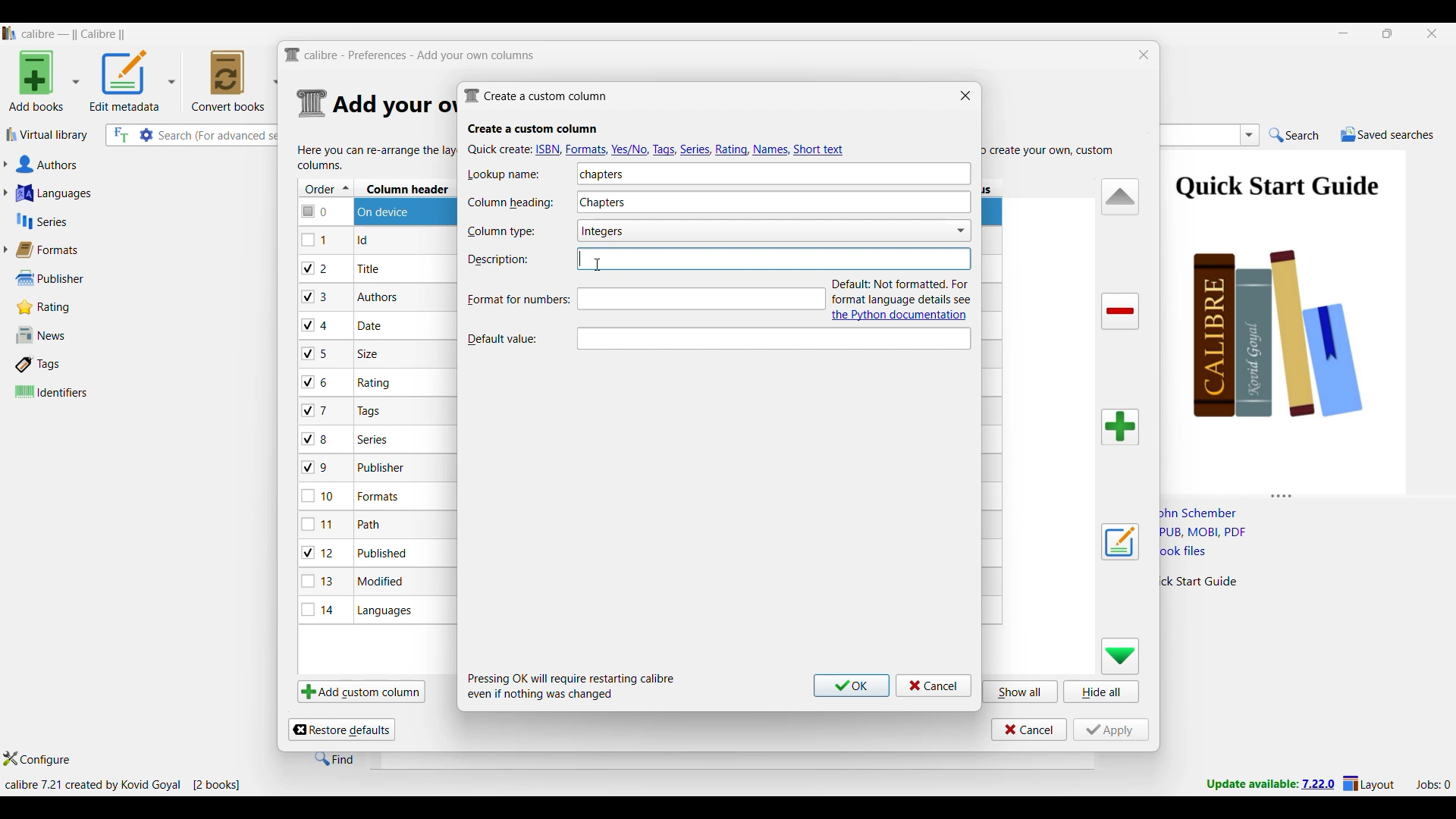 The height and width of the screenshot is (819, 1456). Describe the element at coordinates (48, 134) in the screenshot. I see `Virtual library` at that location.